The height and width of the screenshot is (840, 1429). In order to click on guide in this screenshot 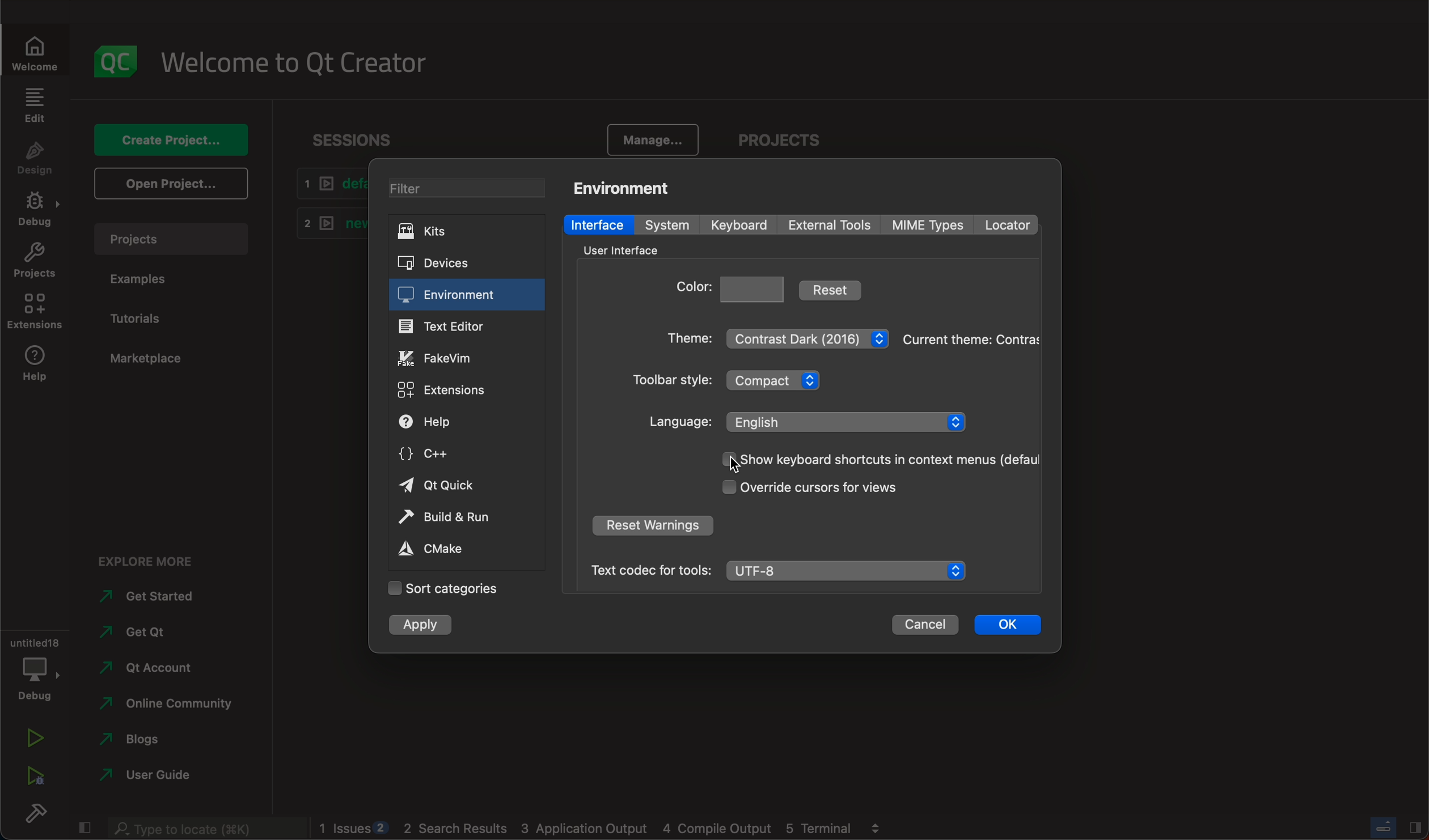, I will do `click(156, 777)`.